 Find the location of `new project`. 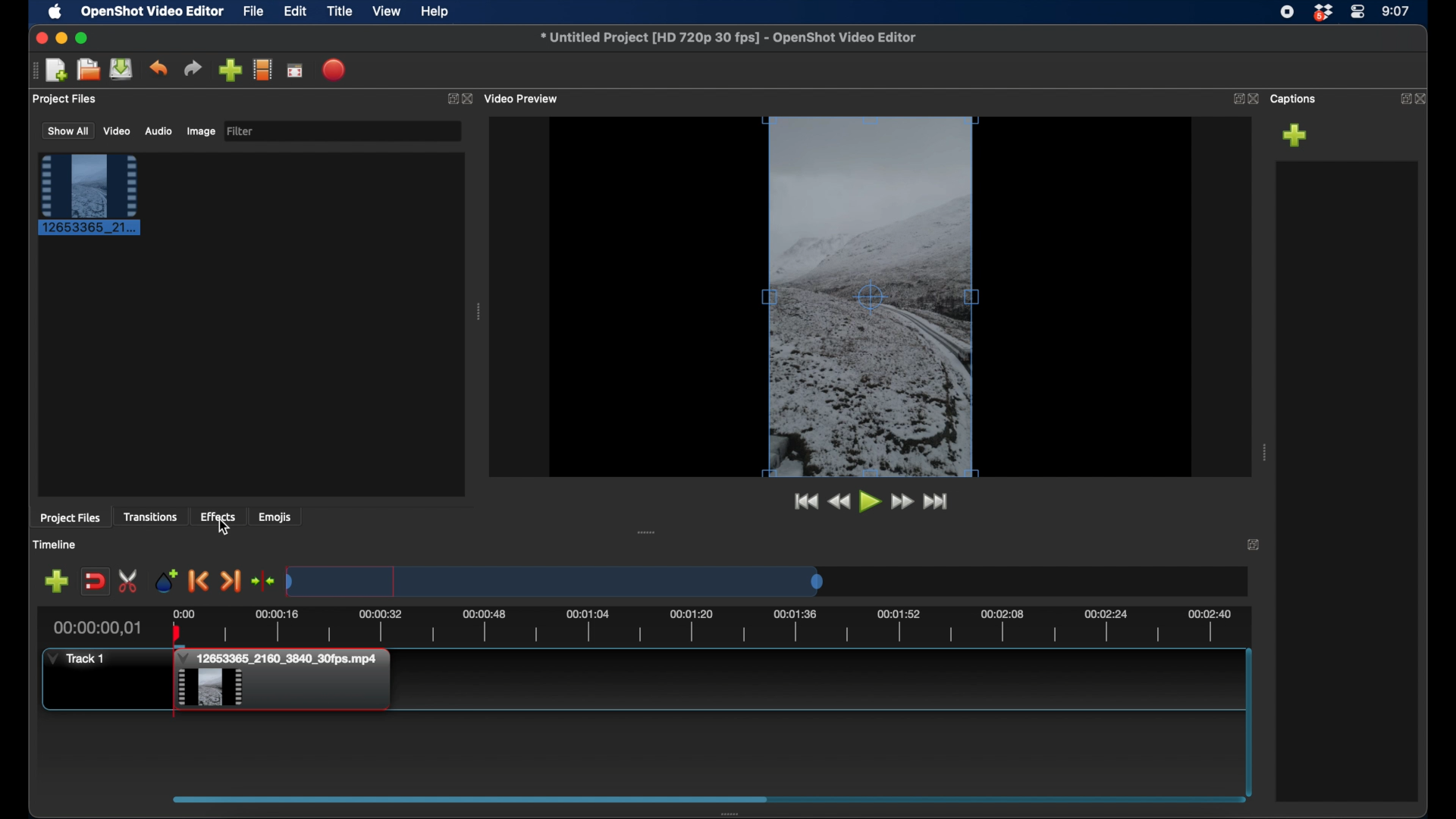

new project is located at coordinates (57, 69).